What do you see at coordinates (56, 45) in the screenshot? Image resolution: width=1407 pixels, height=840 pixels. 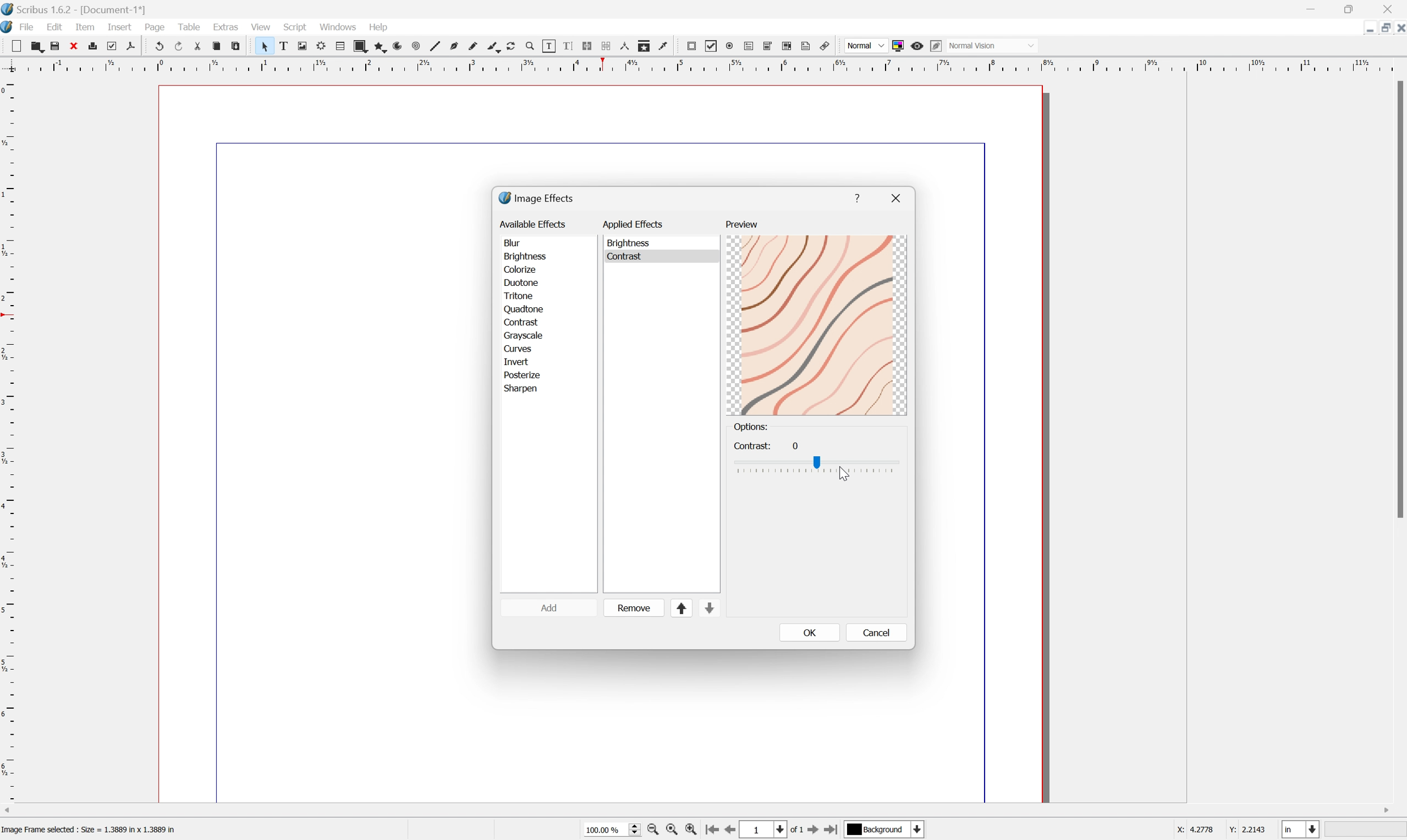 I see `Save` at bounding box center [56, 45].